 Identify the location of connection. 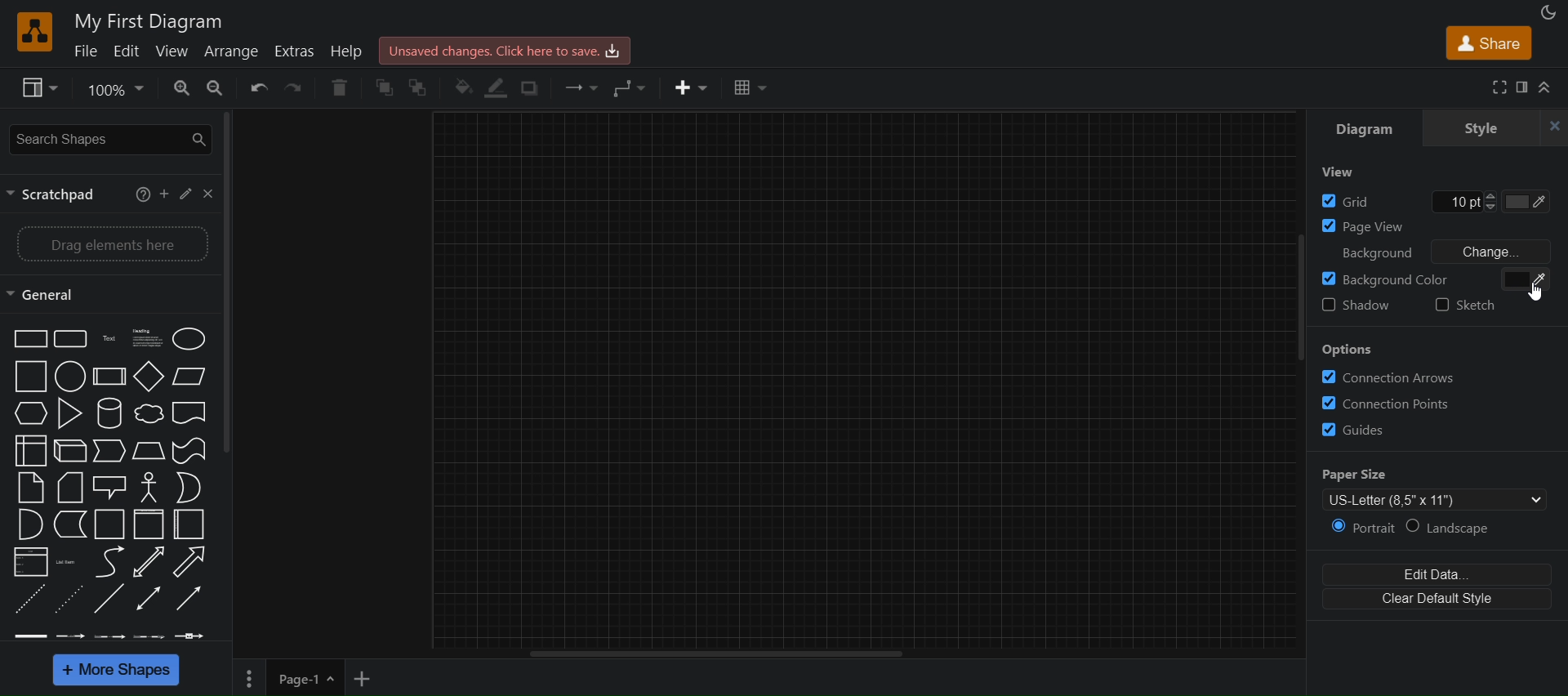
(581, 88).